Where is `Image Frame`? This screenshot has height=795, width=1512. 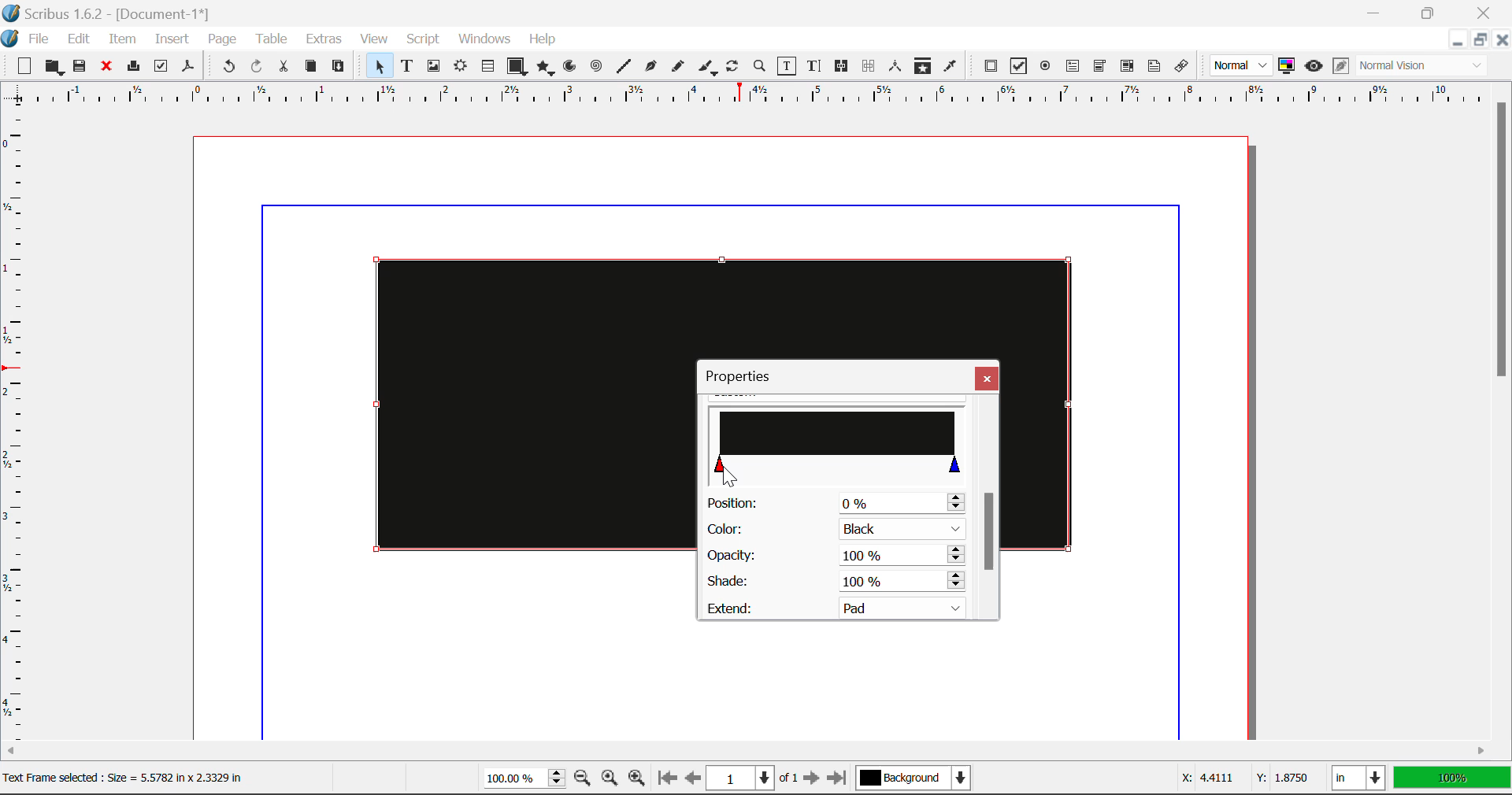 Image Frame is located at coordinates (433, 68).